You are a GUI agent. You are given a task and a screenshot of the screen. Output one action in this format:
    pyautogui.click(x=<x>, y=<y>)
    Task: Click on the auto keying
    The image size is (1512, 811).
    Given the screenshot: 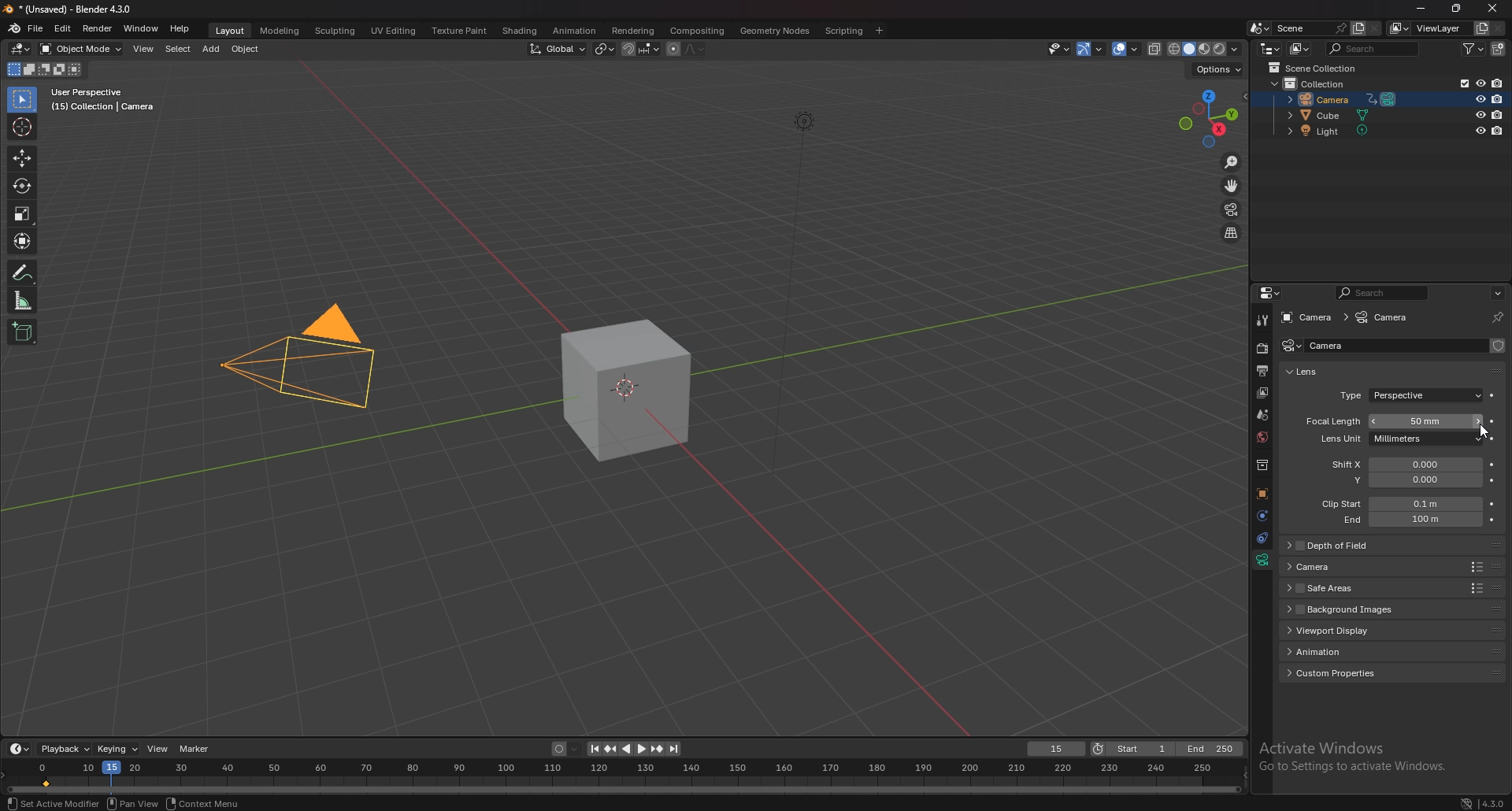 What is the action you would take?
    pyautogui.click(x=563, y=749)
    